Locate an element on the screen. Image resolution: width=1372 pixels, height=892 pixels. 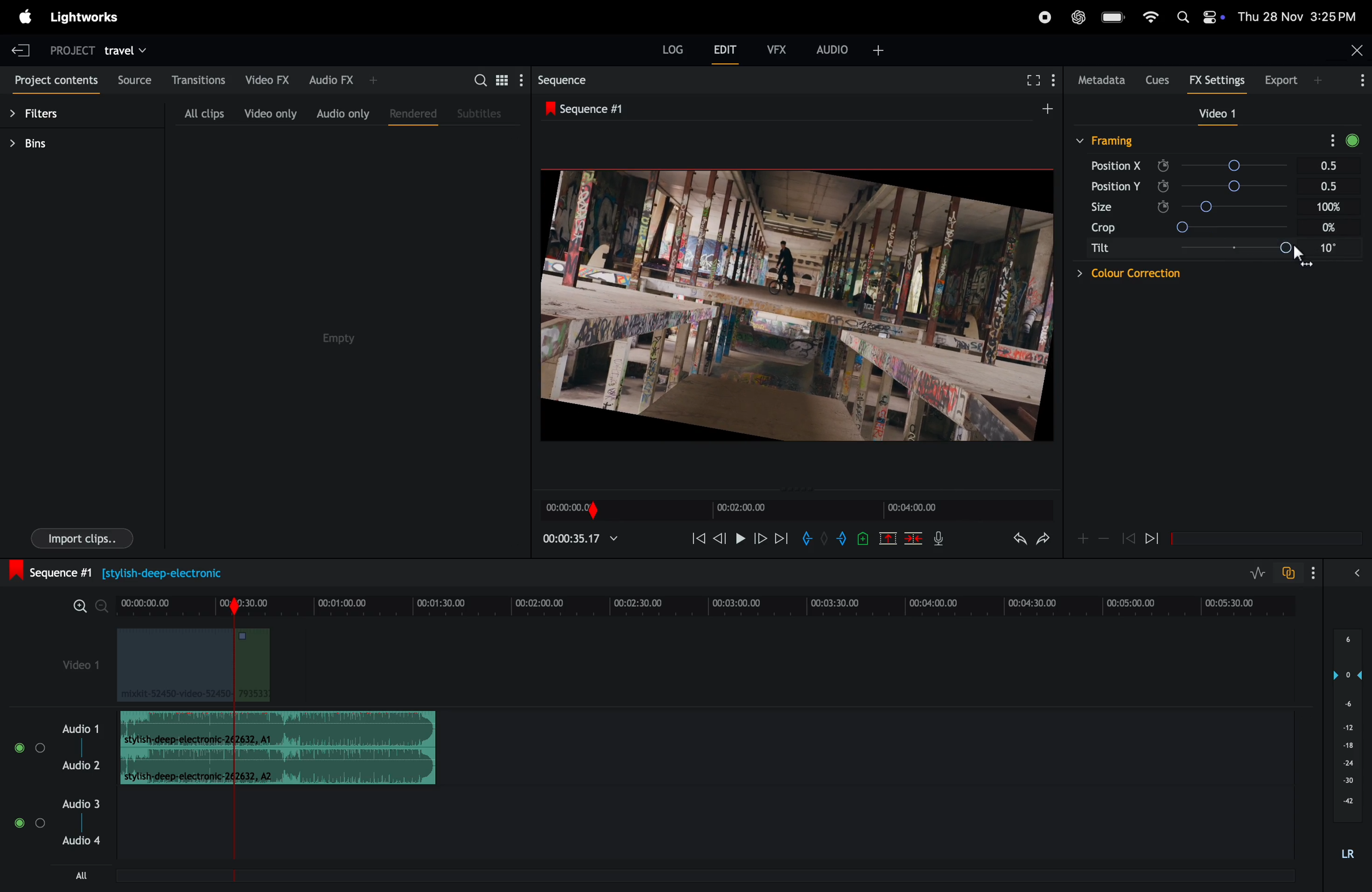
log is located at coordinates (673, 48).